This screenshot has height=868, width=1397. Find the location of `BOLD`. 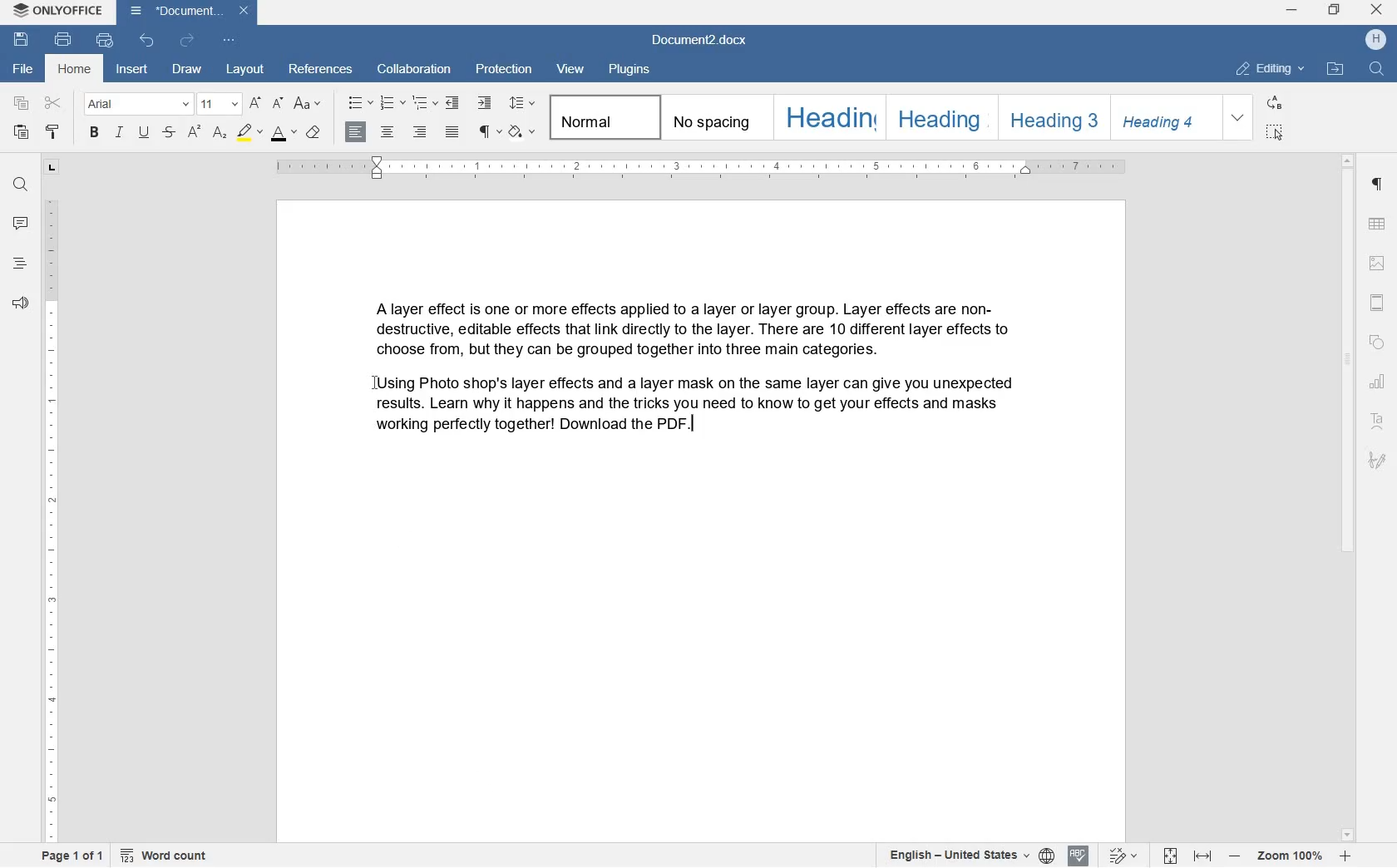

BOLD is located at coordinates (94, 133).